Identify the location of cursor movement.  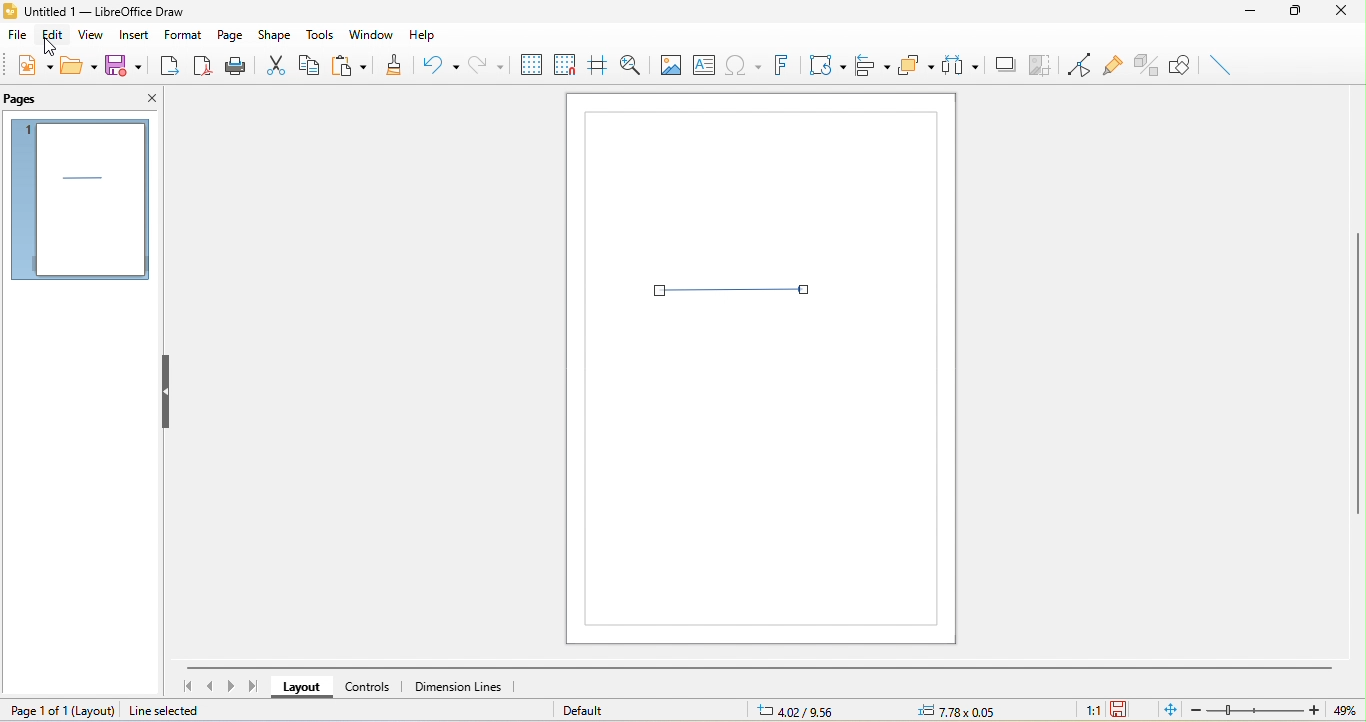
(49, 50).